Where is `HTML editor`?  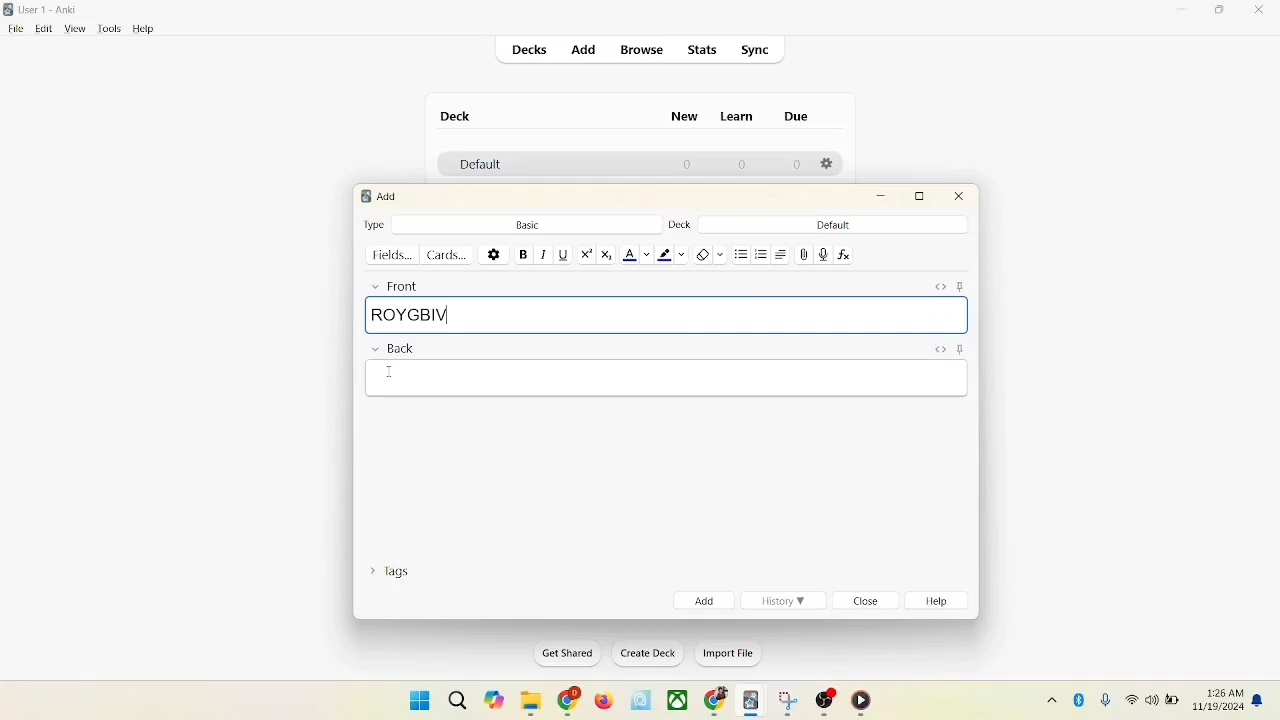
HTML editor is located at coordinates (938, 348).